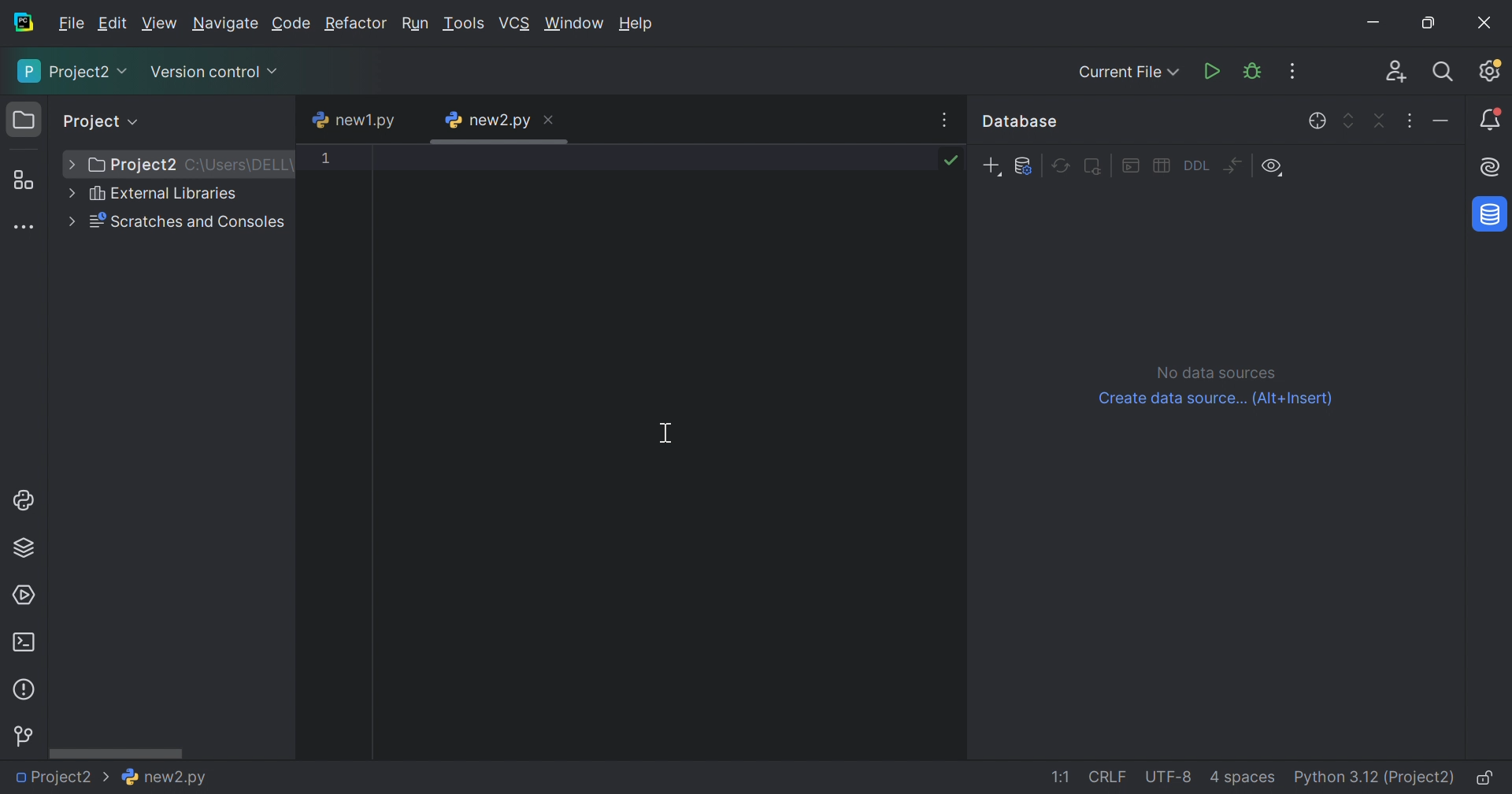 The image size is (1512, 794). Describe the element at coordinates (1492, 119) in the screenshot. I see `Notifications` at that location.